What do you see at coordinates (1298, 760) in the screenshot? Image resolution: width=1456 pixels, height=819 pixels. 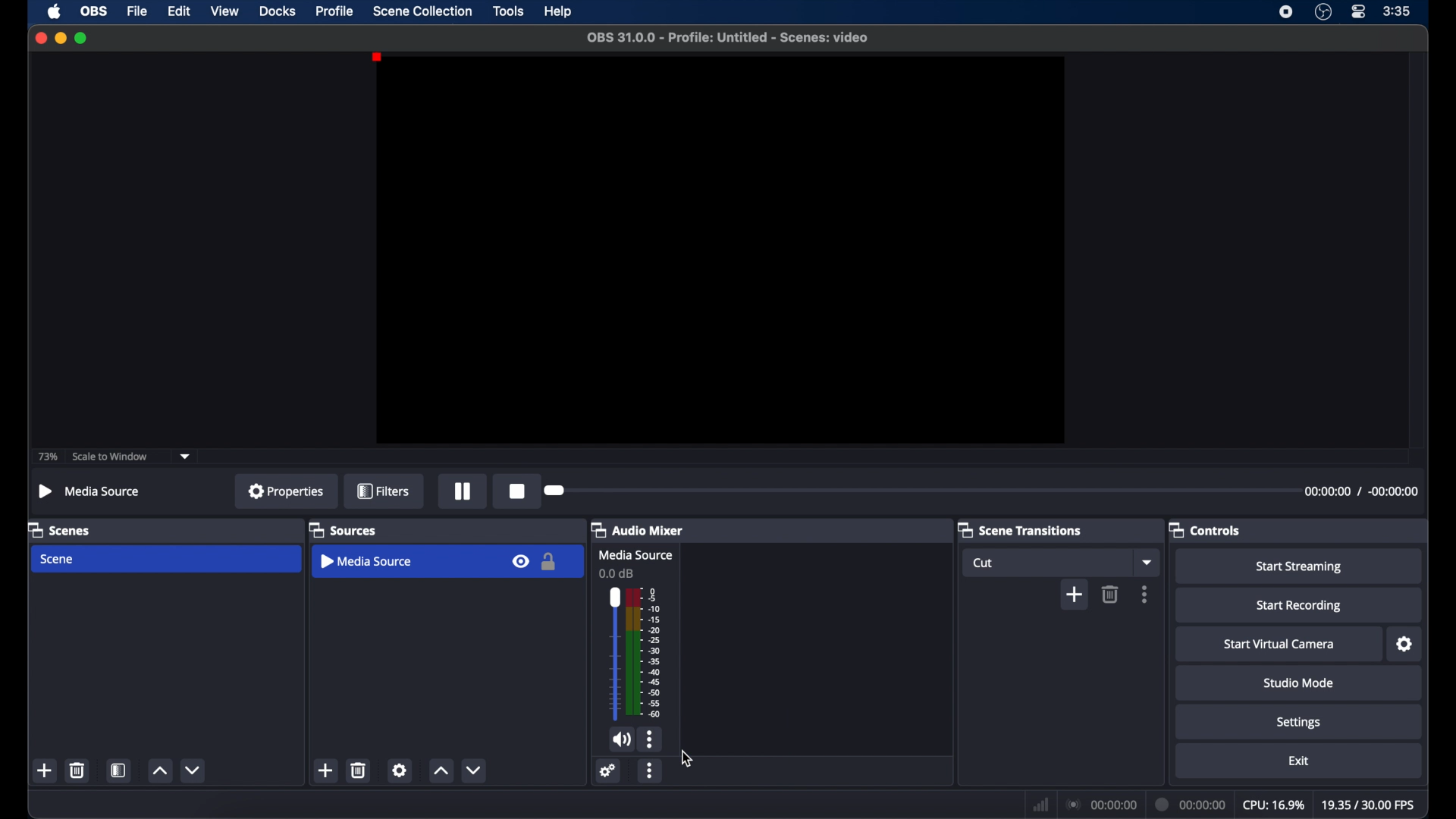 I see `exit` at bounding box center [1298, 760].